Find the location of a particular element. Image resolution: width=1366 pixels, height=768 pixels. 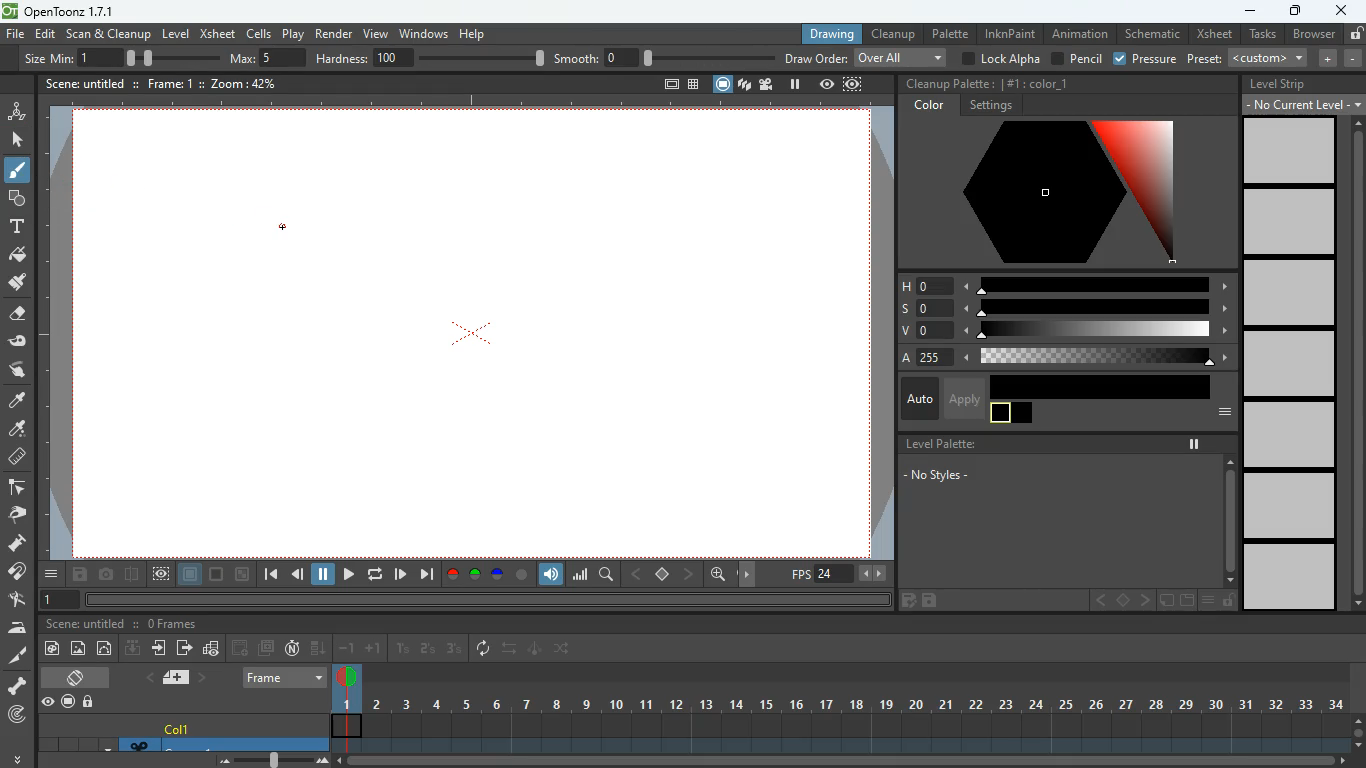

help is located at coordinates (475, 31).